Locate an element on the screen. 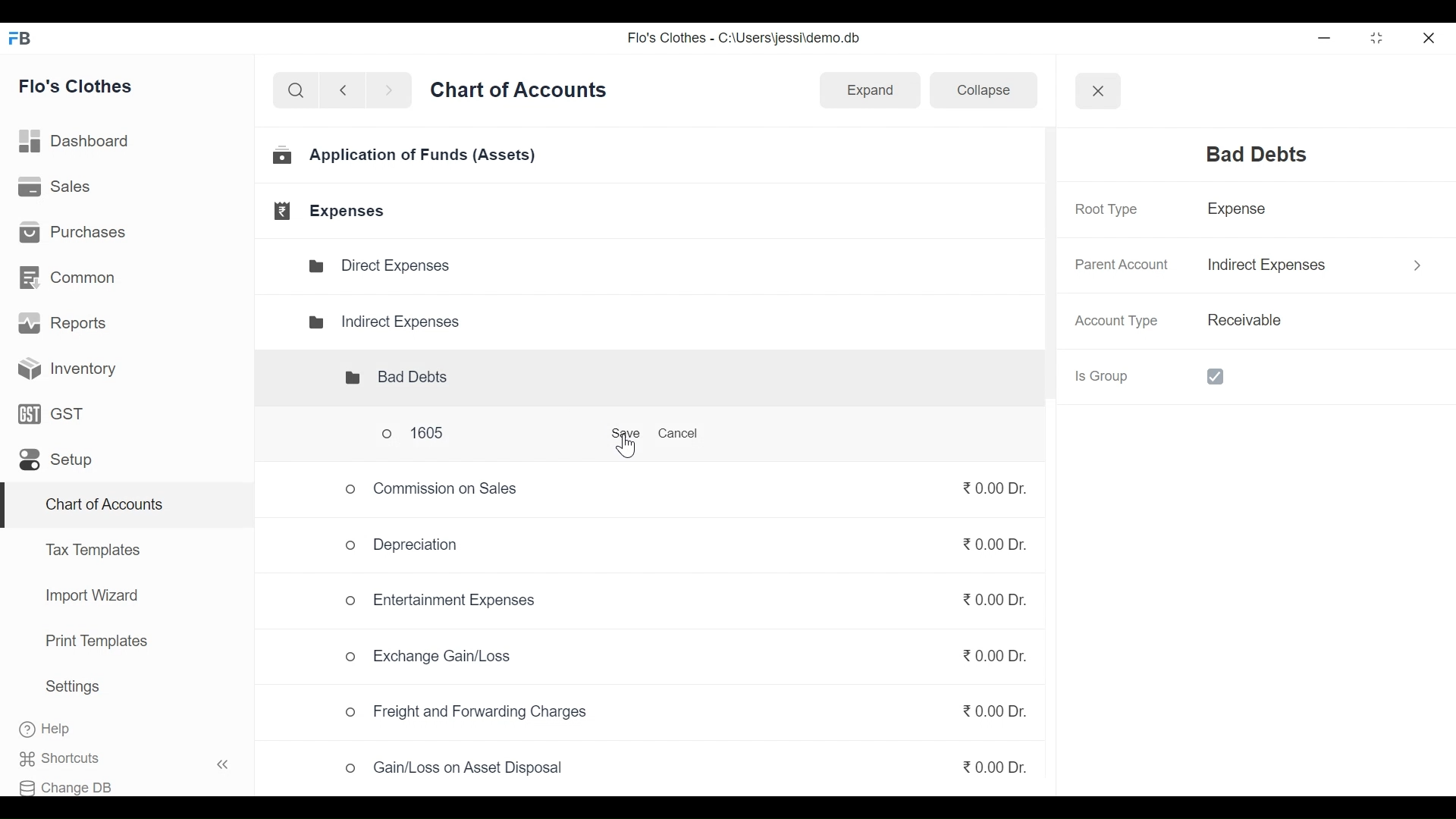 The image size is (1456, 819). Bad Debts is located at coordinates (384, 378).